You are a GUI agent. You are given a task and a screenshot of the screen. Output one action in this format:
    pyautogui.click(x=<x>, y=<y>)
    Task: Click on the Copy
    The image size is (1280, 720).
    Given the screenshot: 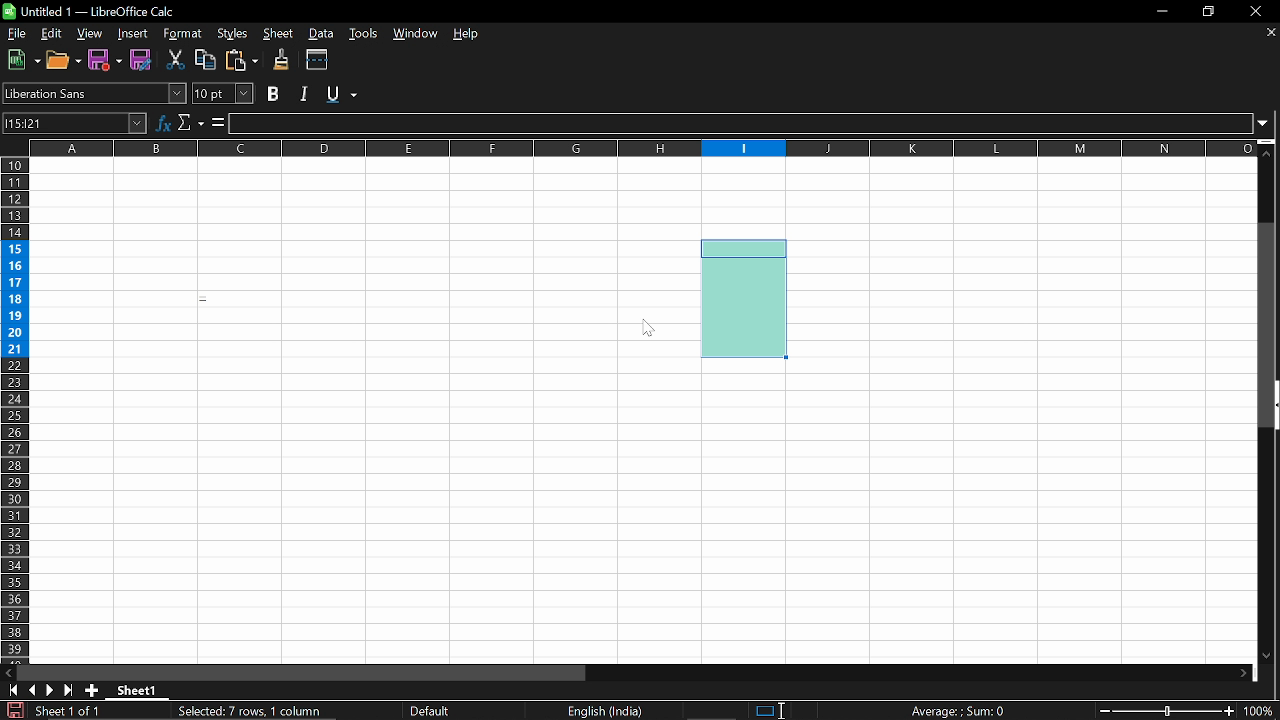 What is the action you would take?
    pyautogui.click(x=206, y=61)
    